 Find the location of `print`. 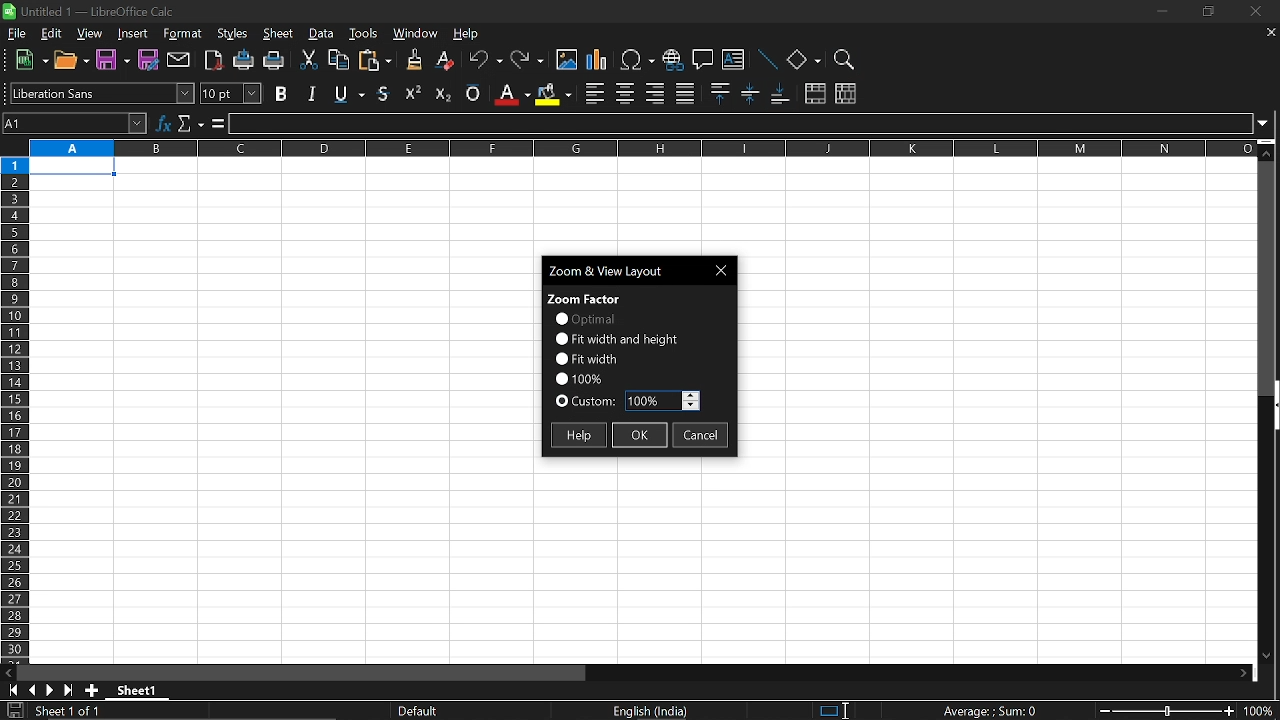

print is located at coordinates (274, 62).